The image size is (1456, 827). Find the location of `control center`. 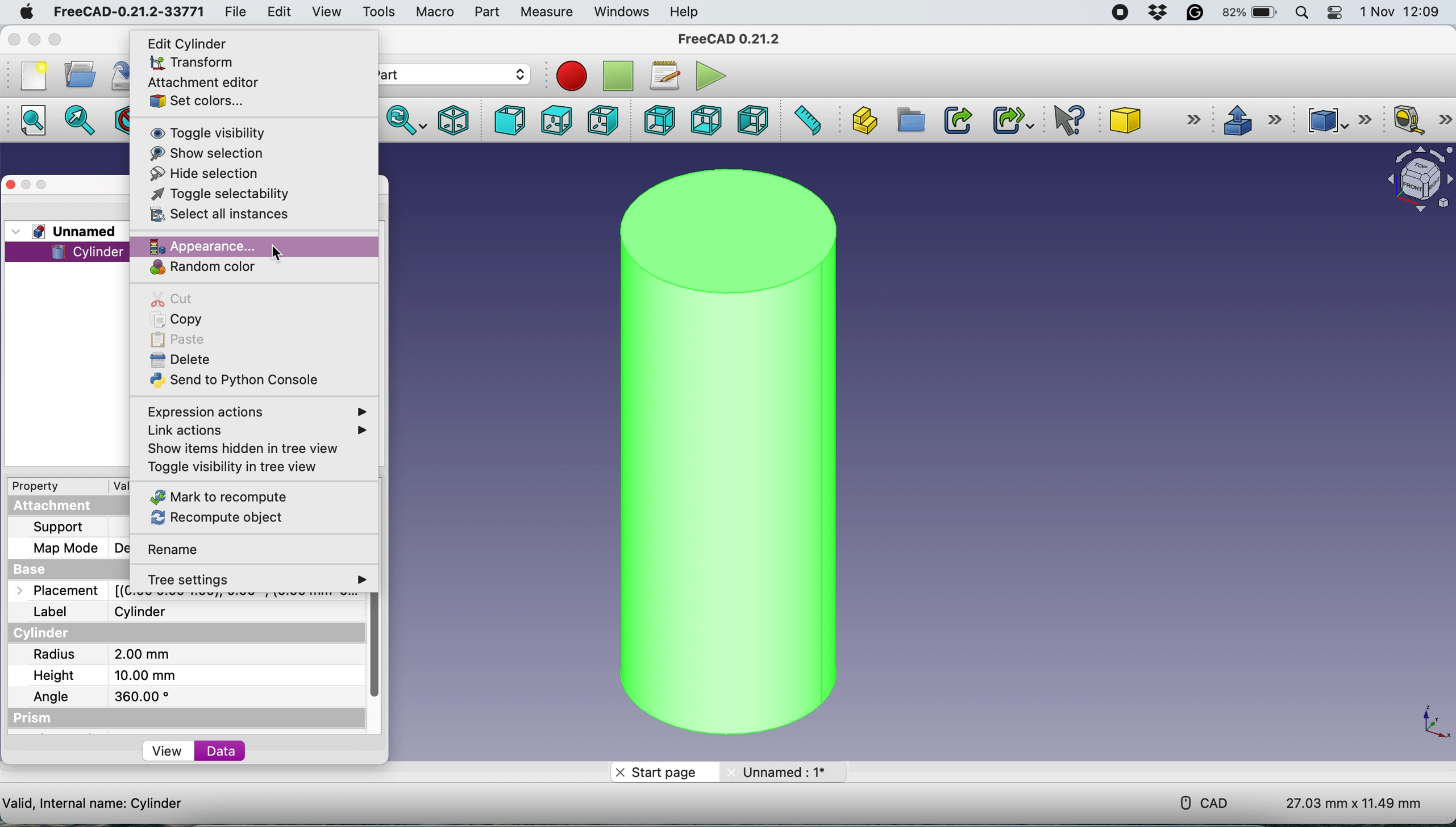

control center is located at coordinates (1337, 15).